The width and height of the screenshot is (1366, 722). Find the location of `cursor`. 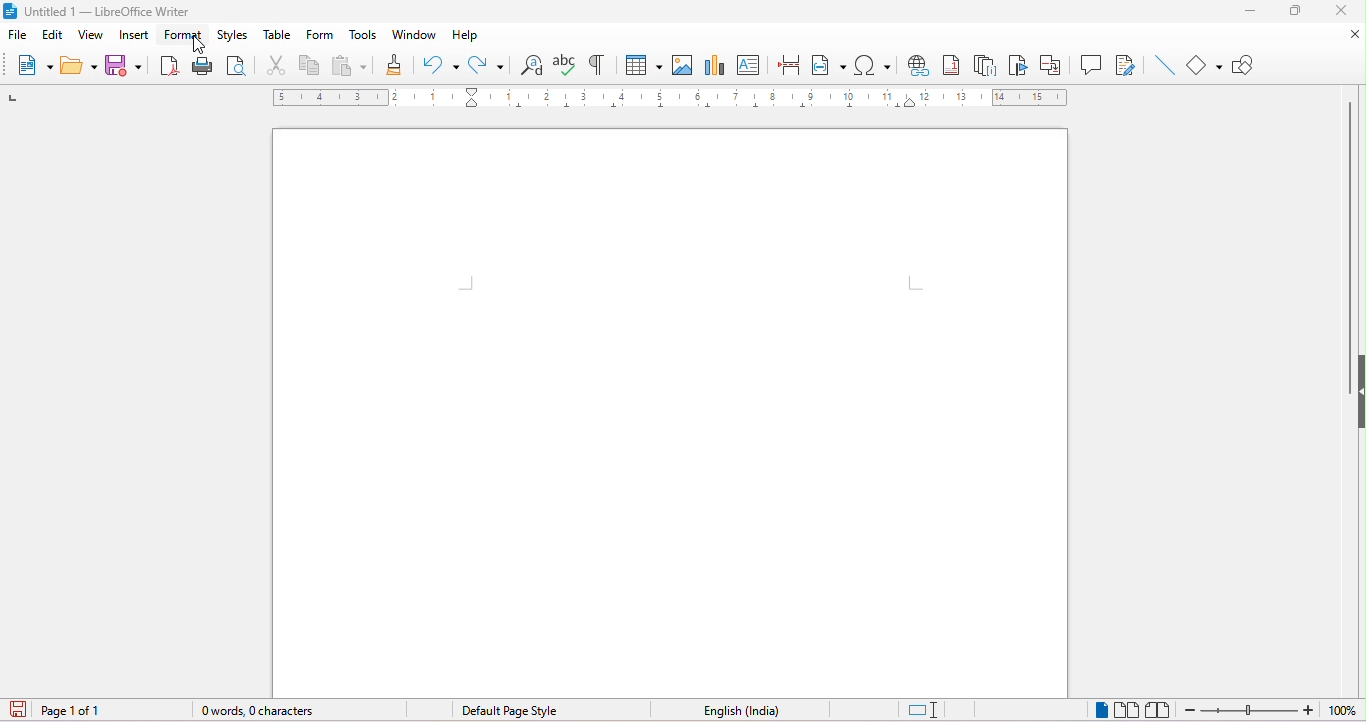

cursor is located at coordinates (196, 47).